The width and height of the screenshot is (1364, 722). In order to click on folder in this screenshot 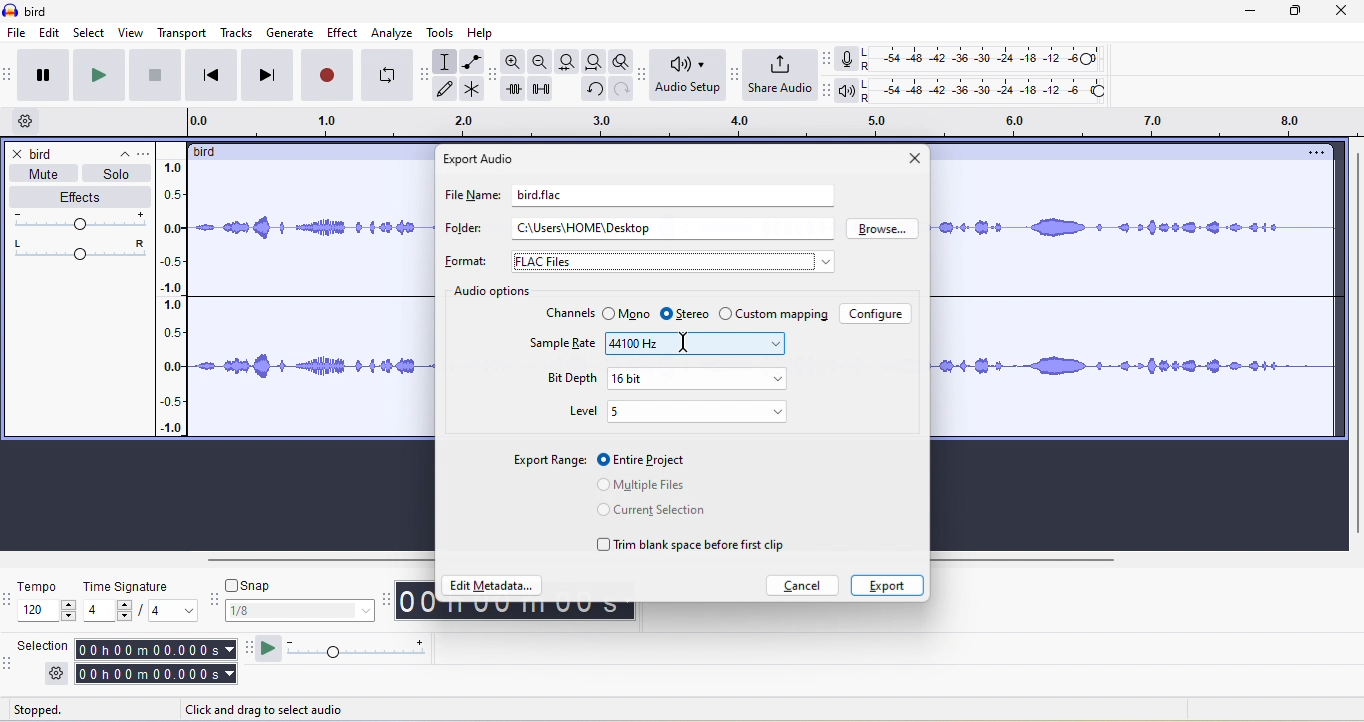, I will do `click(461, 230)`.